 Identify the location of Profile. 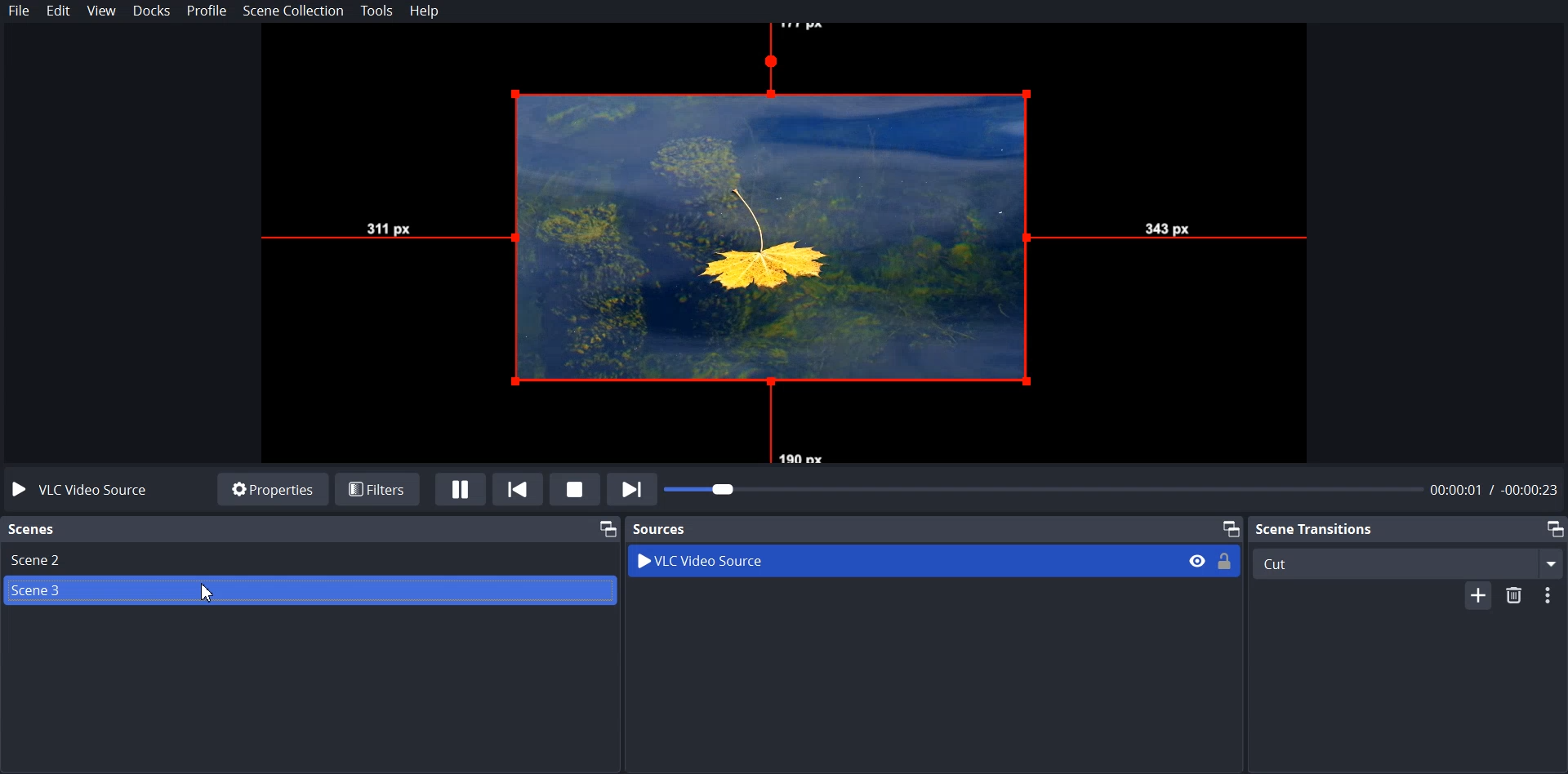
(207, 11).